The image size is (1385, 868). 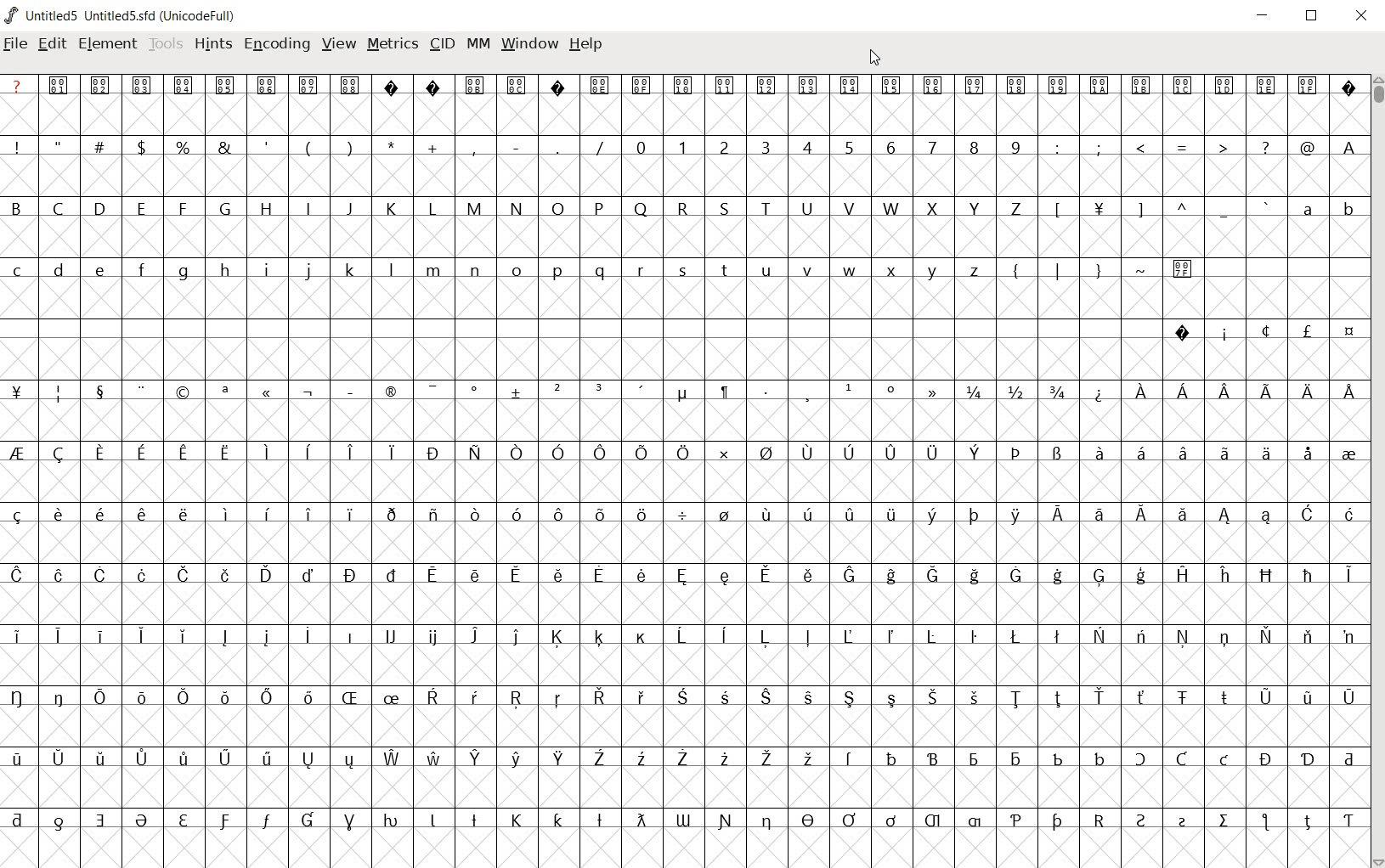 I want to click on Symbol, so click(x=889, y=578).